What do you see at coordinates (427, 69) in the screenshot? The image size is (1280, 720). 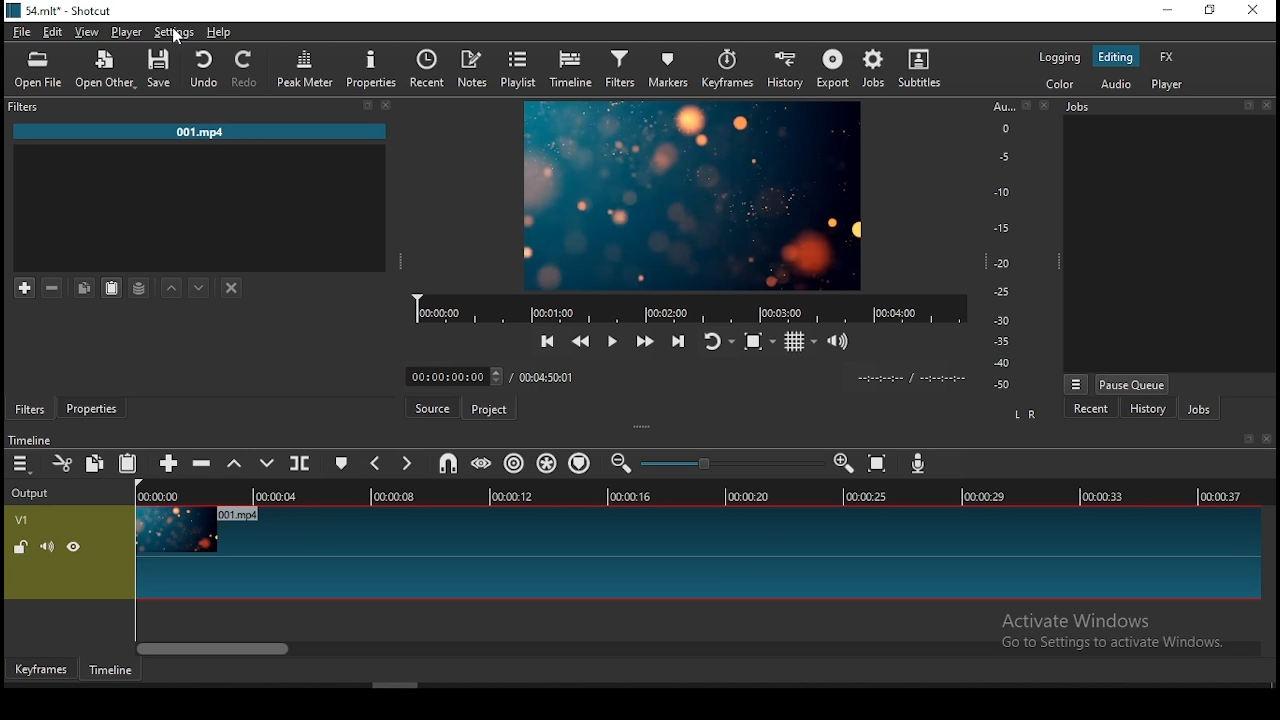 I see `recent` at bounding box center [427, 69].